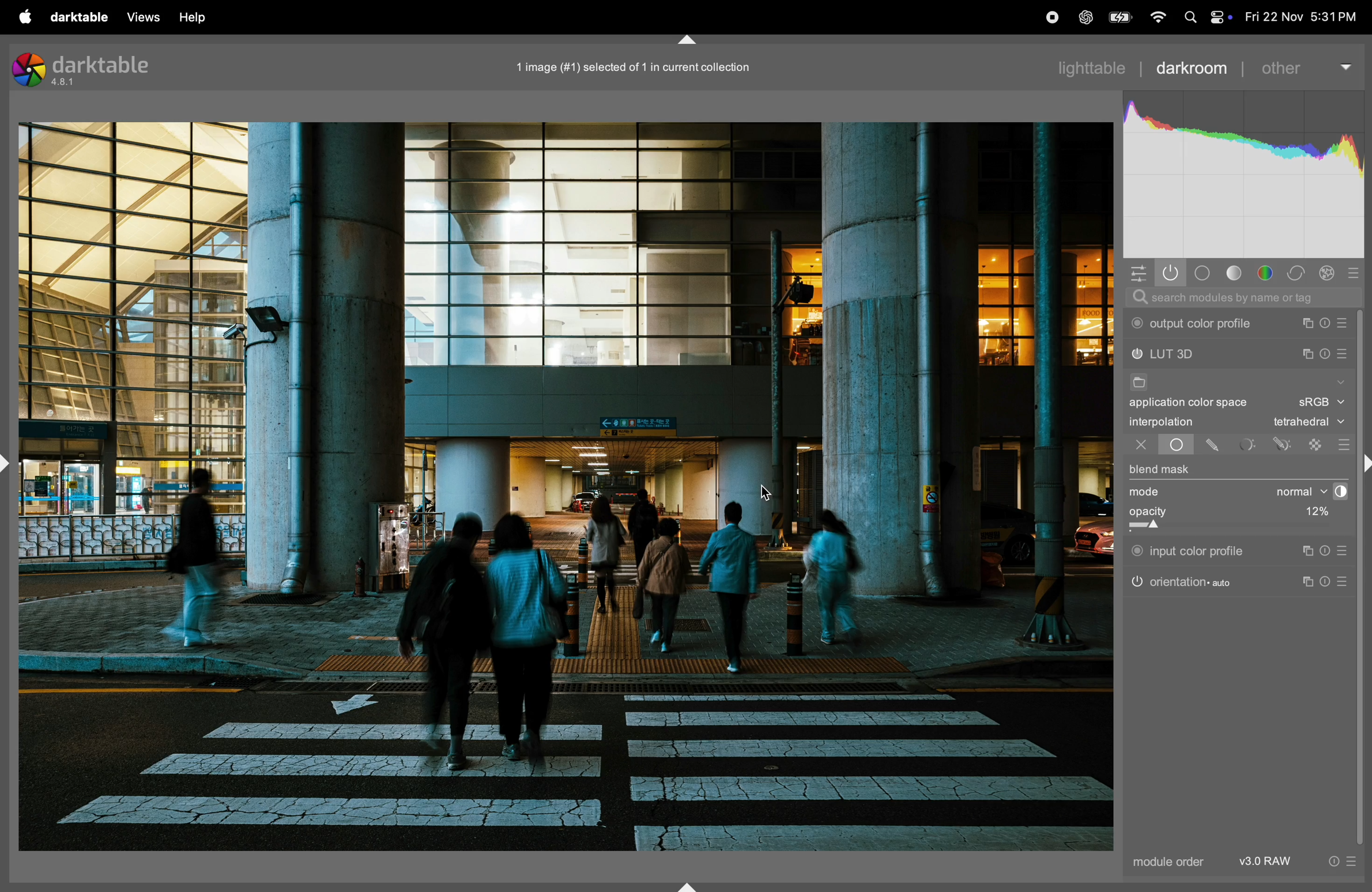 The width and height of the screenshot is (1372, 892). What do you see at coordinates (1325, 352) in the screenshot?
I see `reset parameters` at bounding box center [1325, 352].